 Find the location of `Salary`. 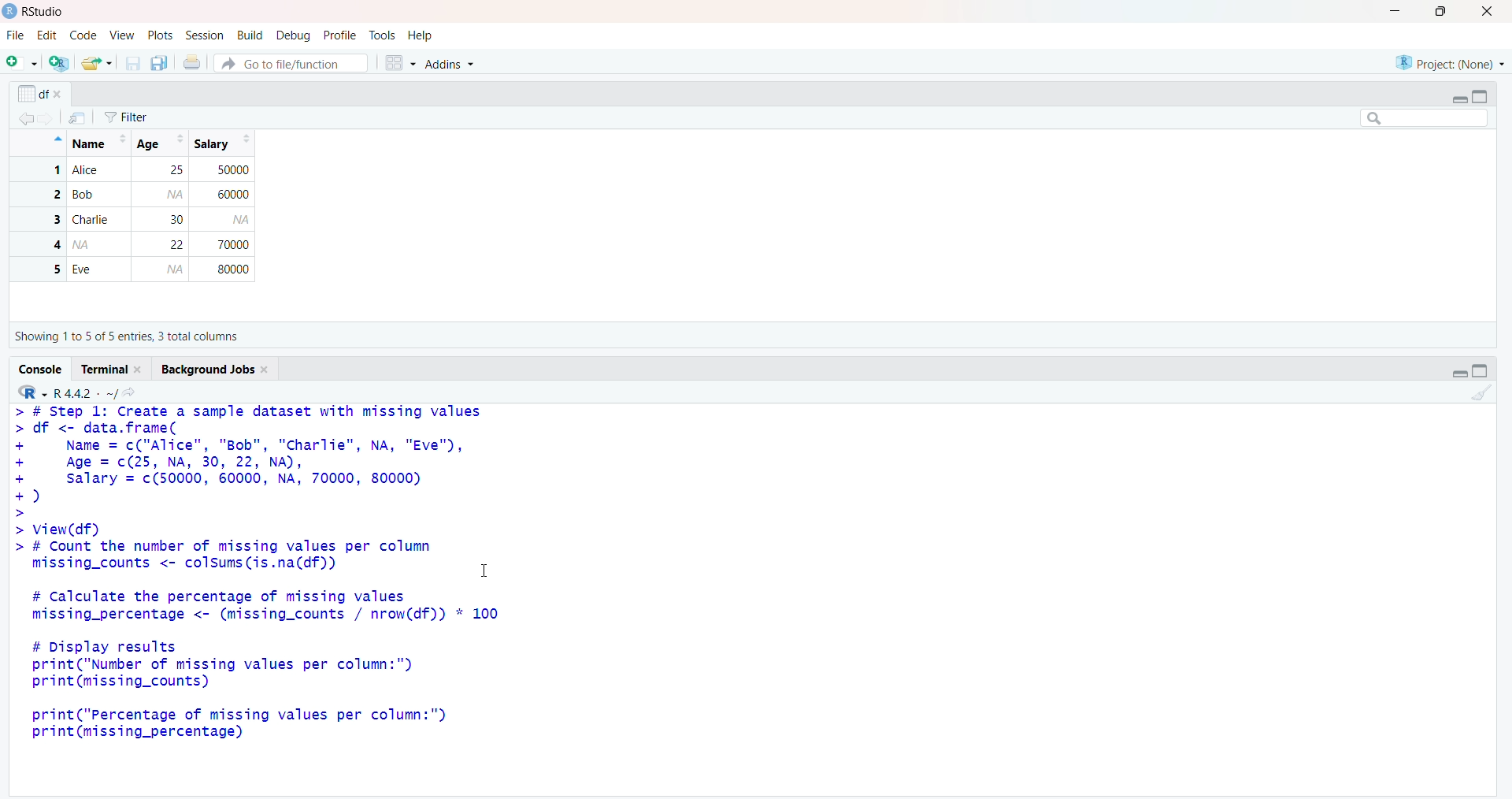

Salary is located at coordinates (221, 144).